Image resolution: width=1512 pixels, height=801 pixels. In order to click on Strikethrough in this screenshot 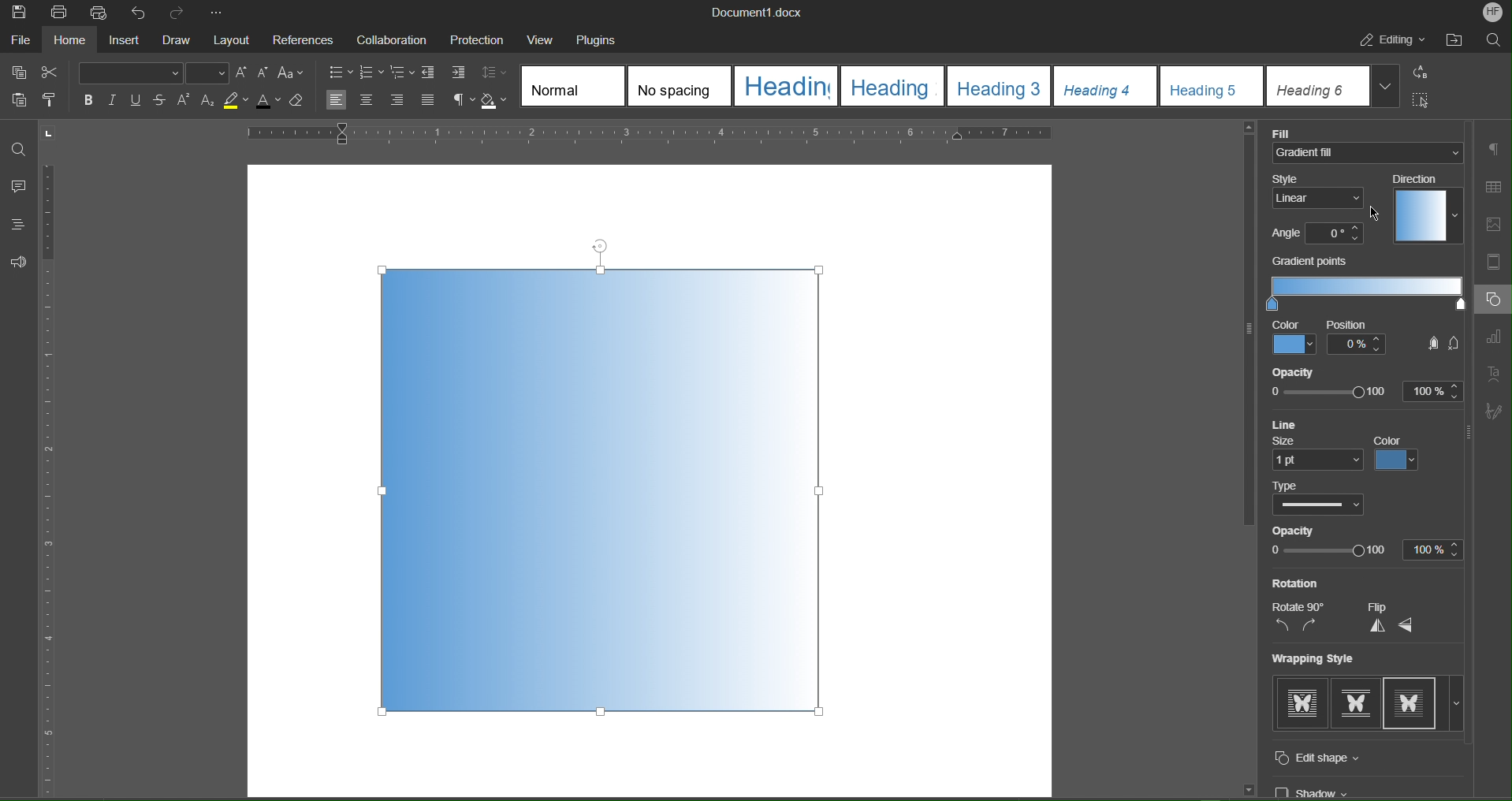, I will do `click(162, 101)`.